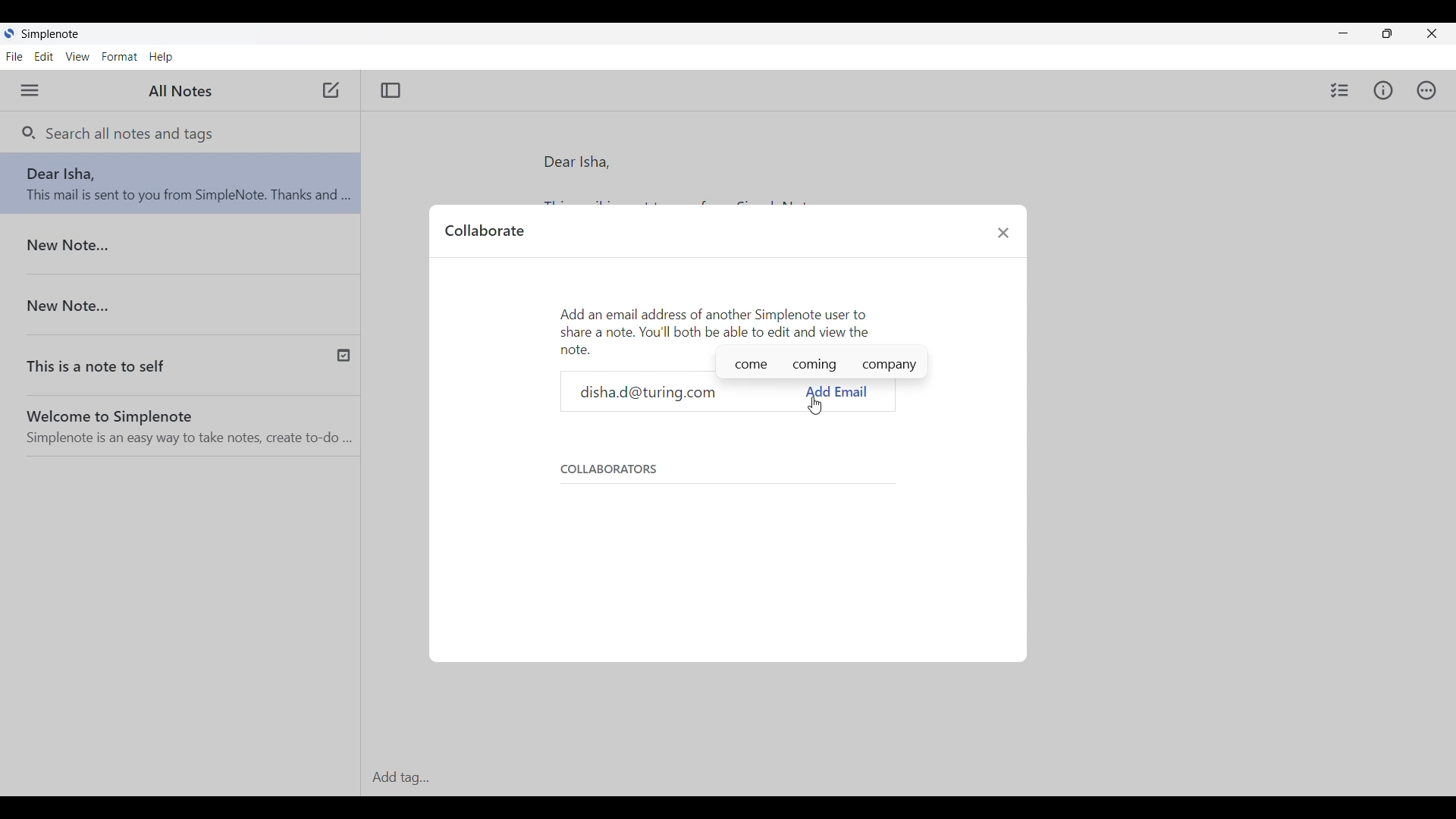 Image resolution: width=1456 pixels, height=819 pixels. I want to click on Published, so click(353, 353).